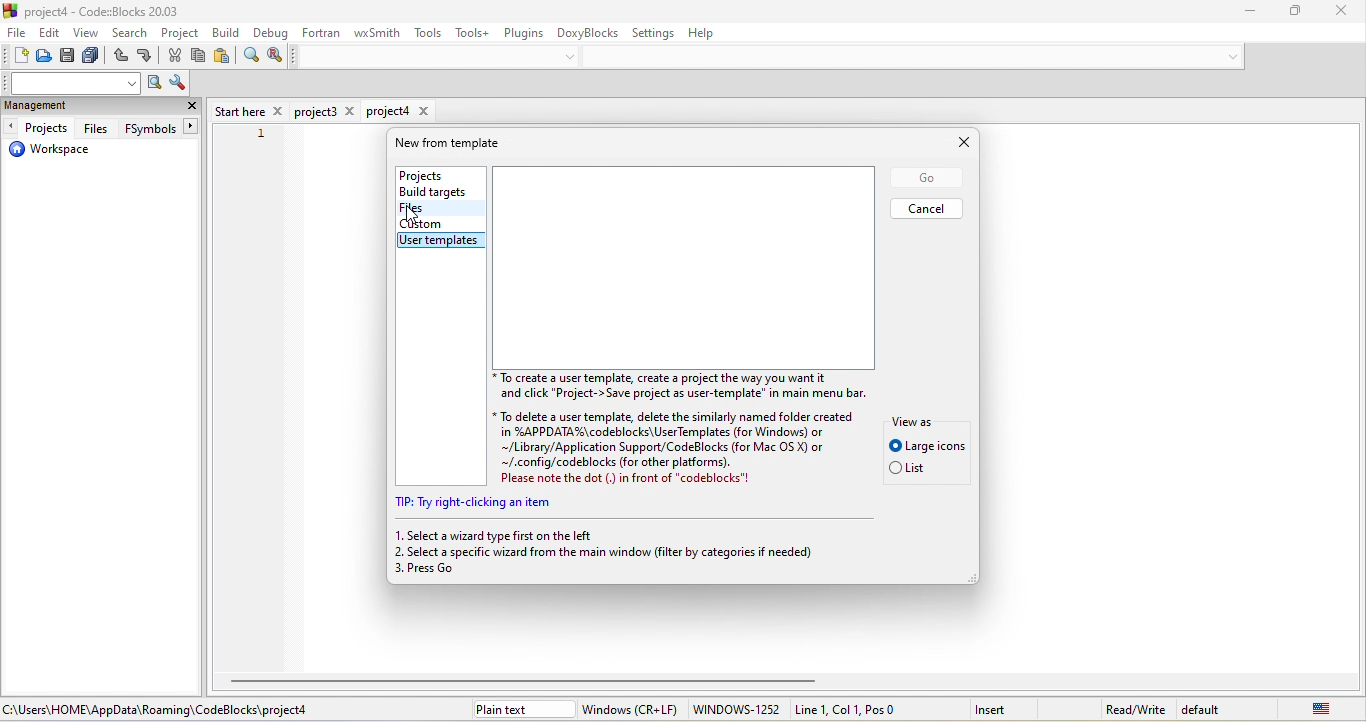 The image size is (1366, 722). Describe the element at coordinates (914, 470) in the screenshot. I see `list` at that location.